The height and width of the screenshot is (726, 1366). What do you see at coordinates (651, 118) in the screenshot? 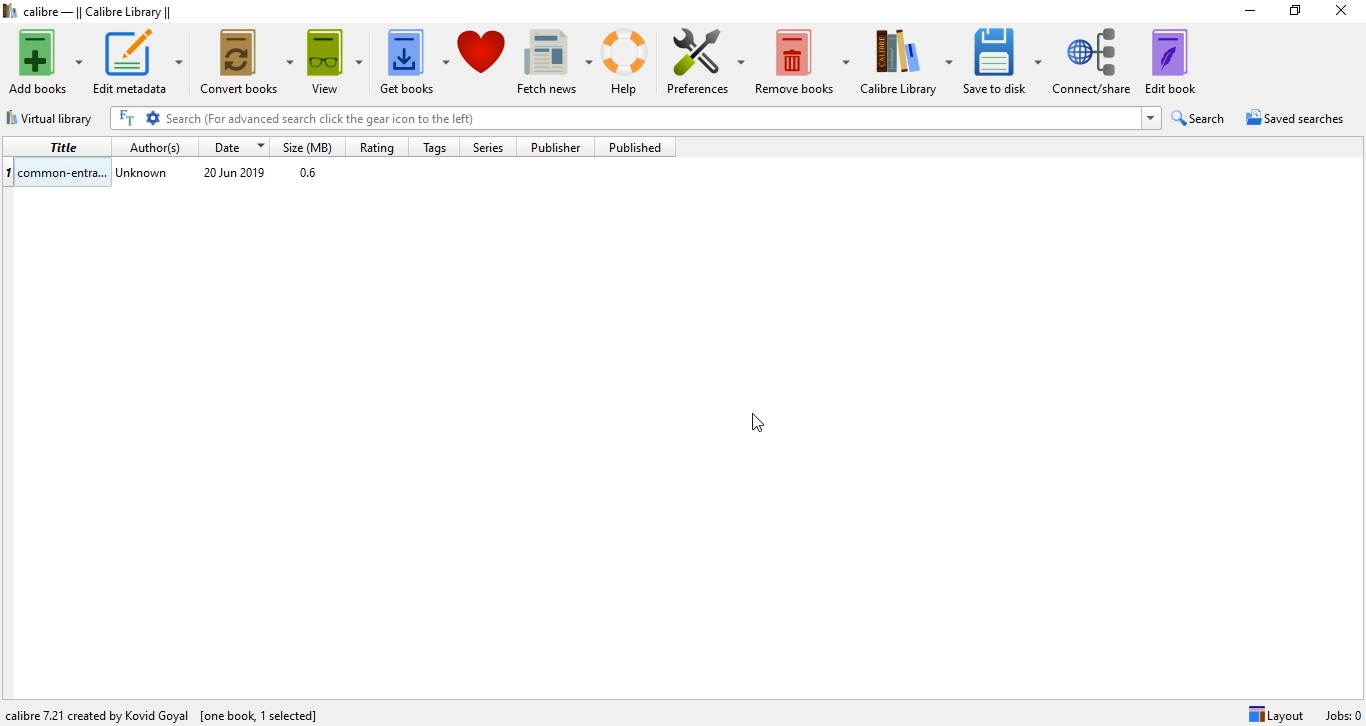
I see `Search bar` at bounding box center [651, 118].